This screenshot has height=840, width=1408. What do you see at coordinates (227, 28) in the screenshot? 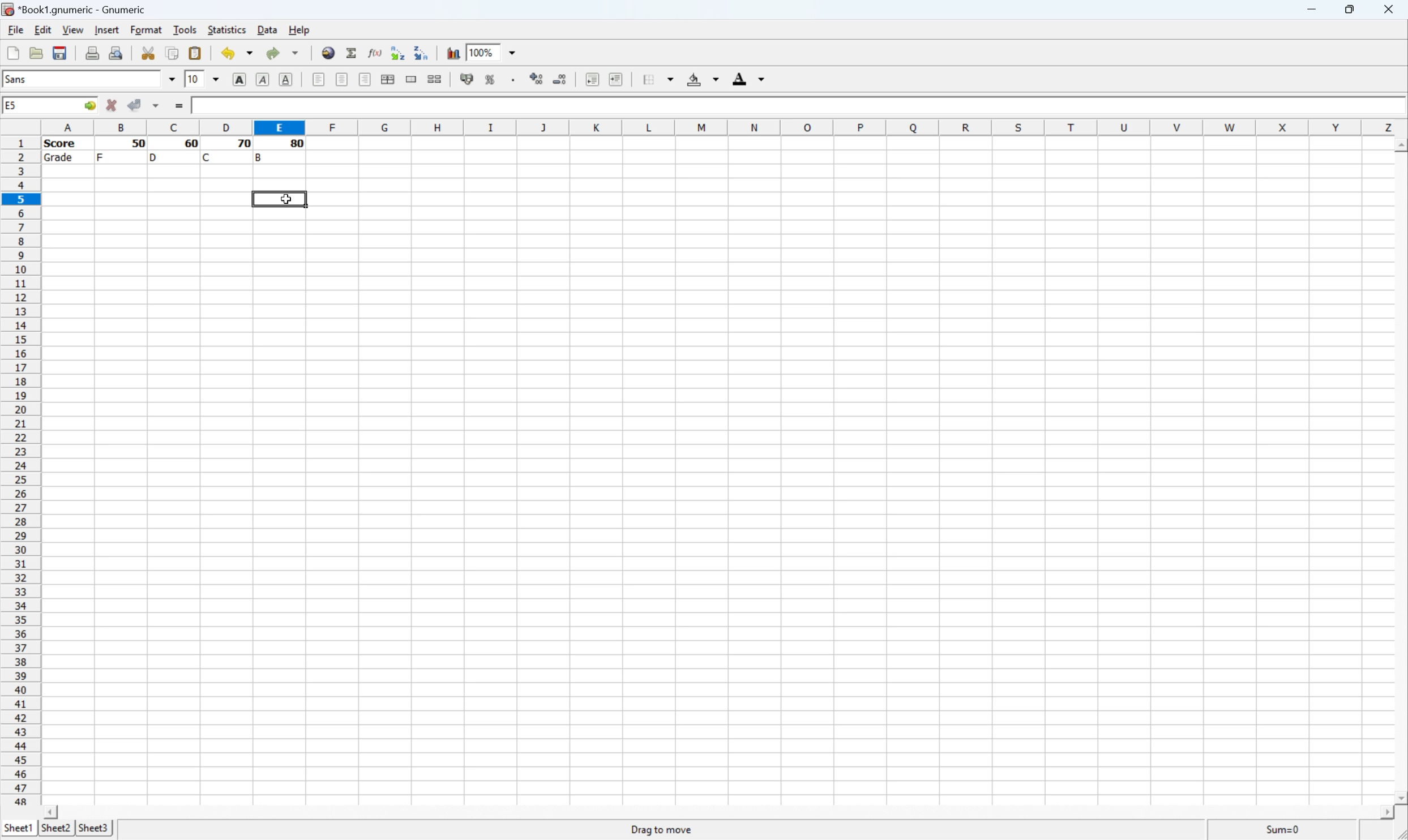
I see `Statistics` at bounding box center [227, 28].